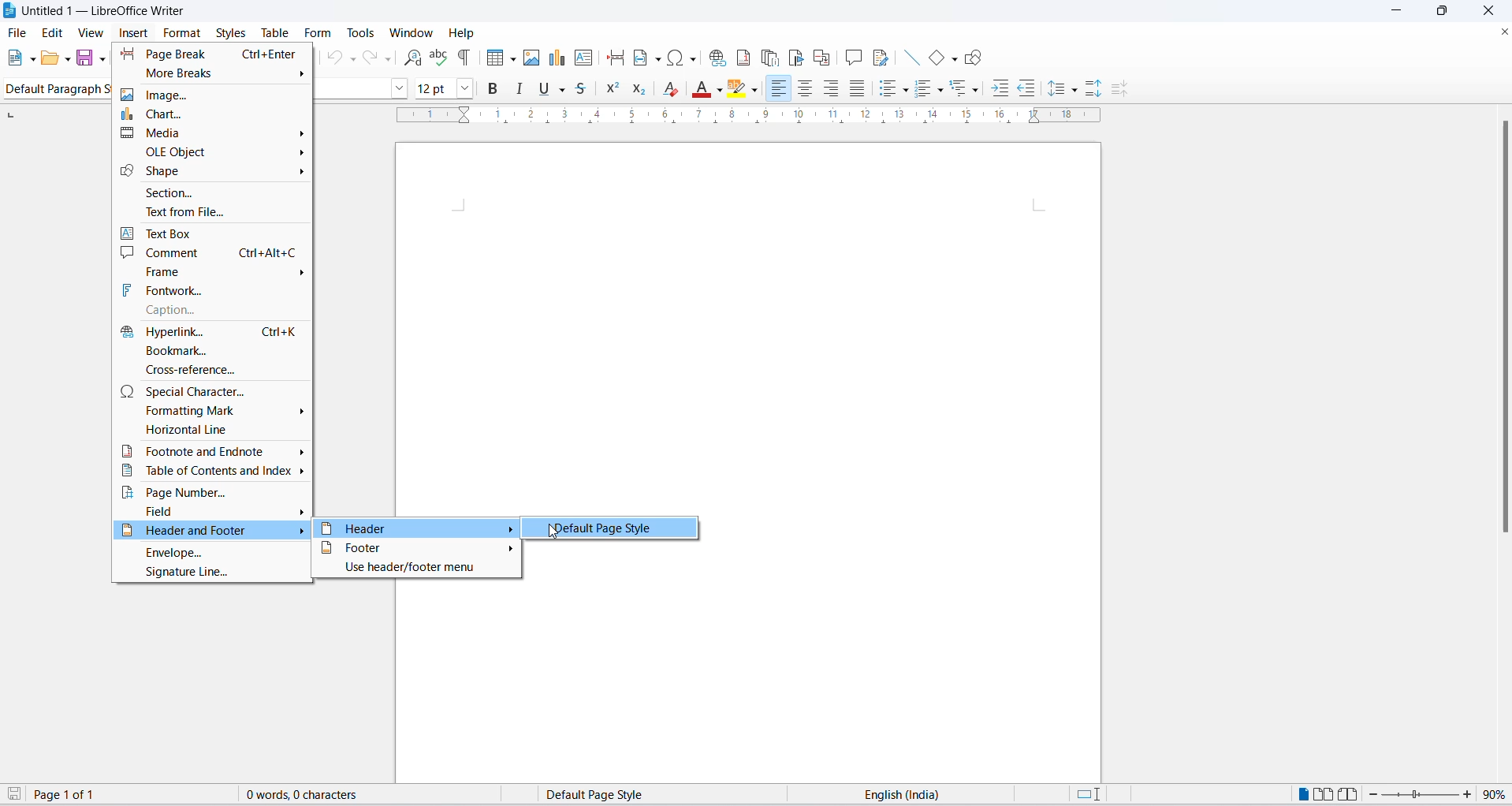  Describe the element at coordinates (212, 211) in the screenshot. I see `TEXT FROM FILE` at that location.